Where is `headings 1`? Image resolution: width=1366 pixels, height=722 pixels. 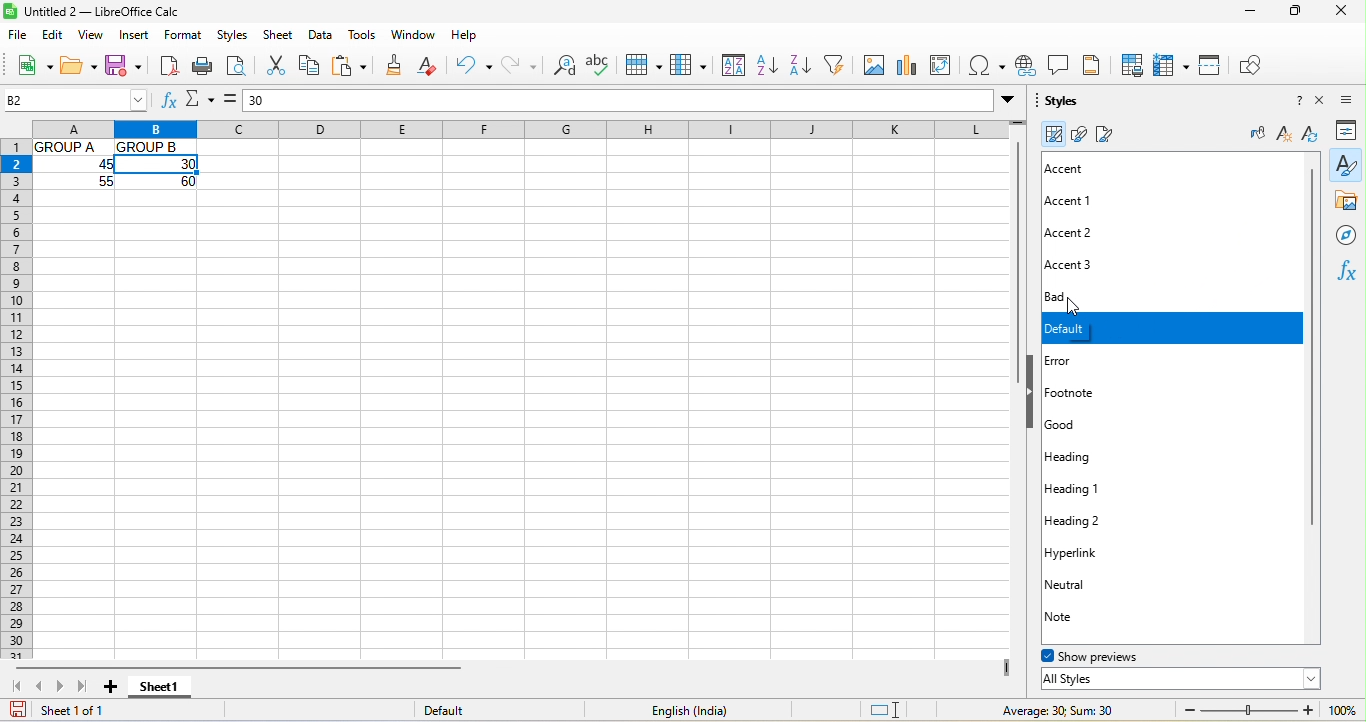 headings 1 is located at coordinates (1114, 489).